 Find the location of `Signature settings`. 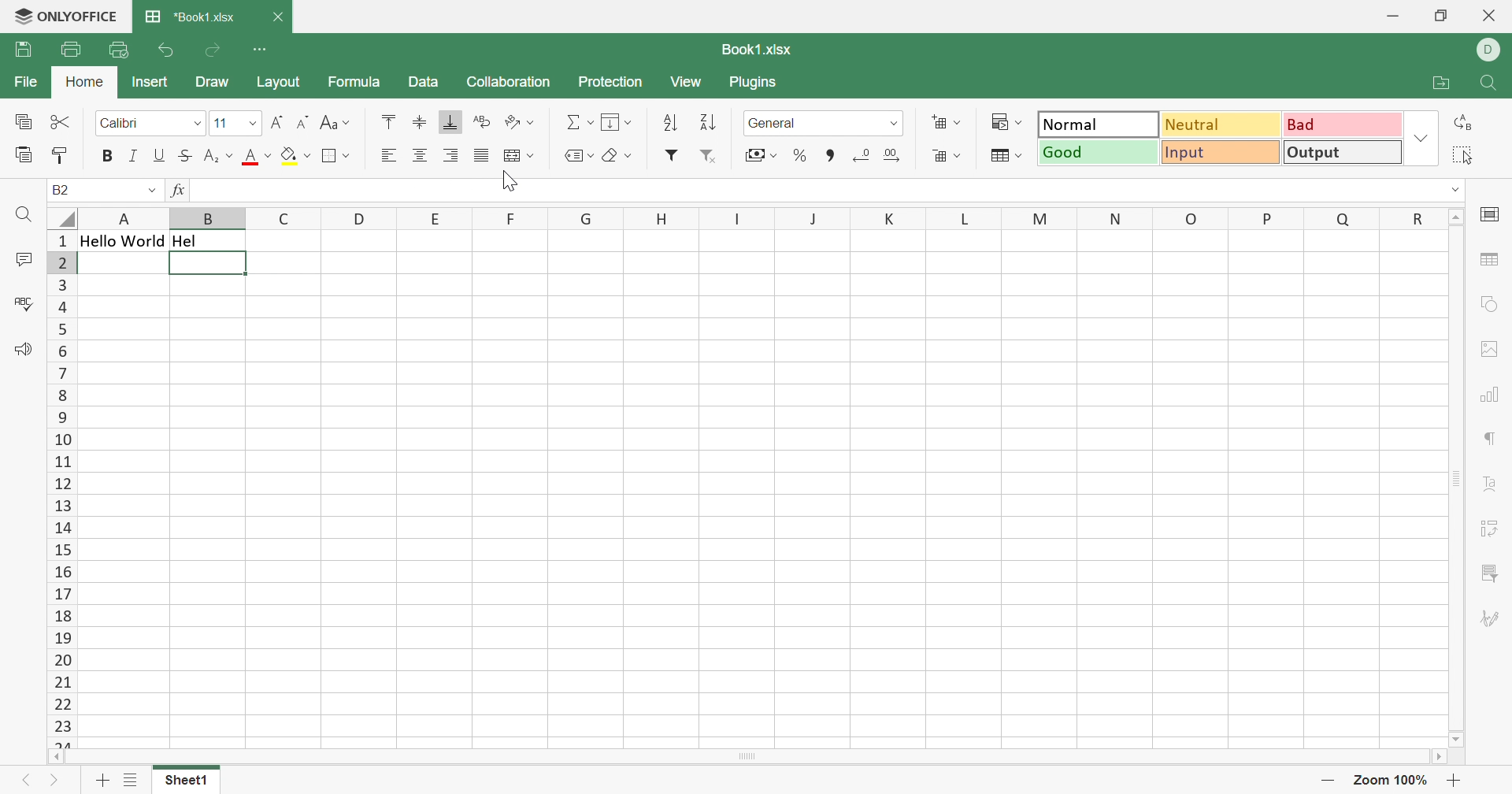

Signature settings is located at coordinates (1487, 618).